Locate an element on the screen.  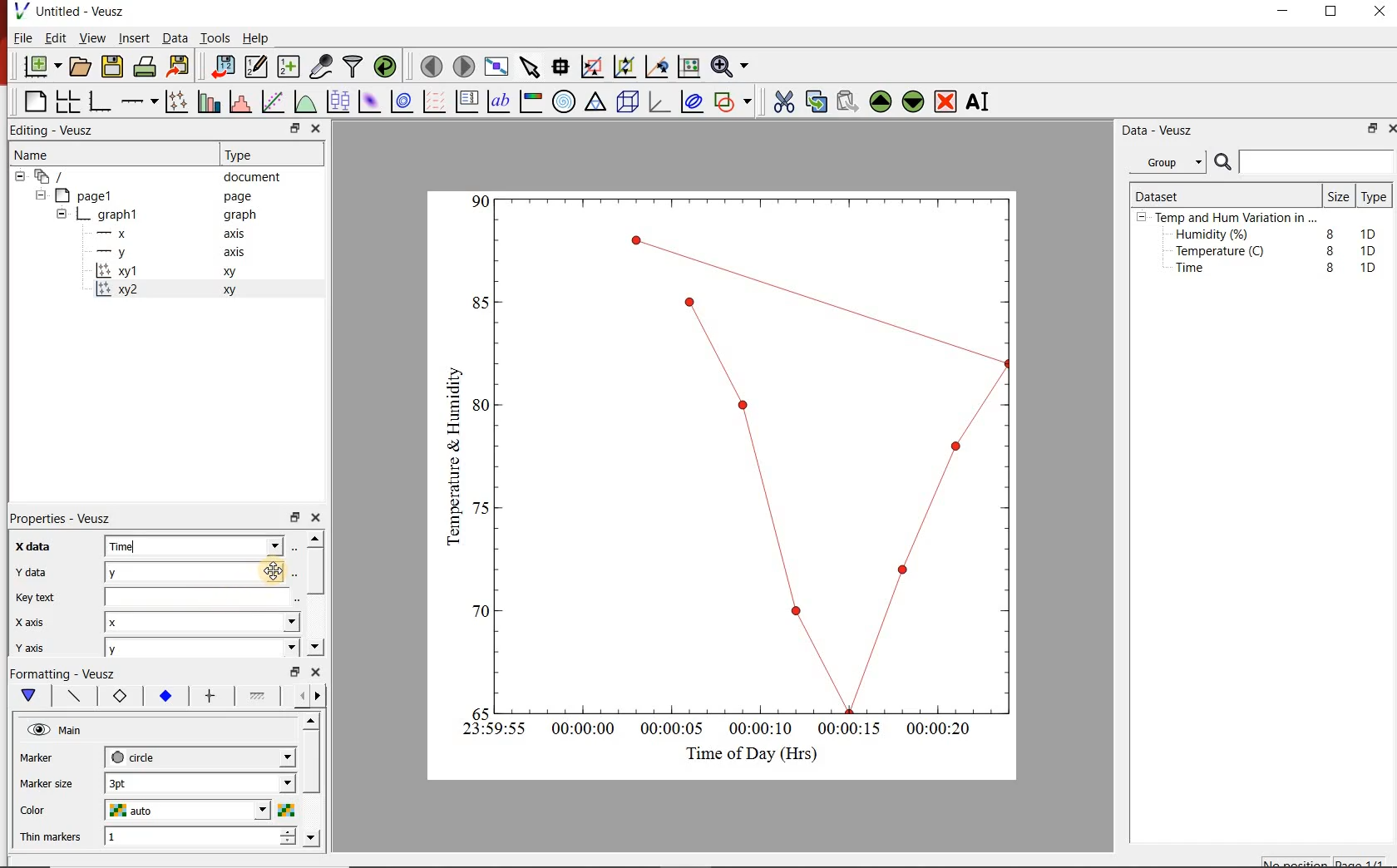
x axis is located at coordinates (40, 621).